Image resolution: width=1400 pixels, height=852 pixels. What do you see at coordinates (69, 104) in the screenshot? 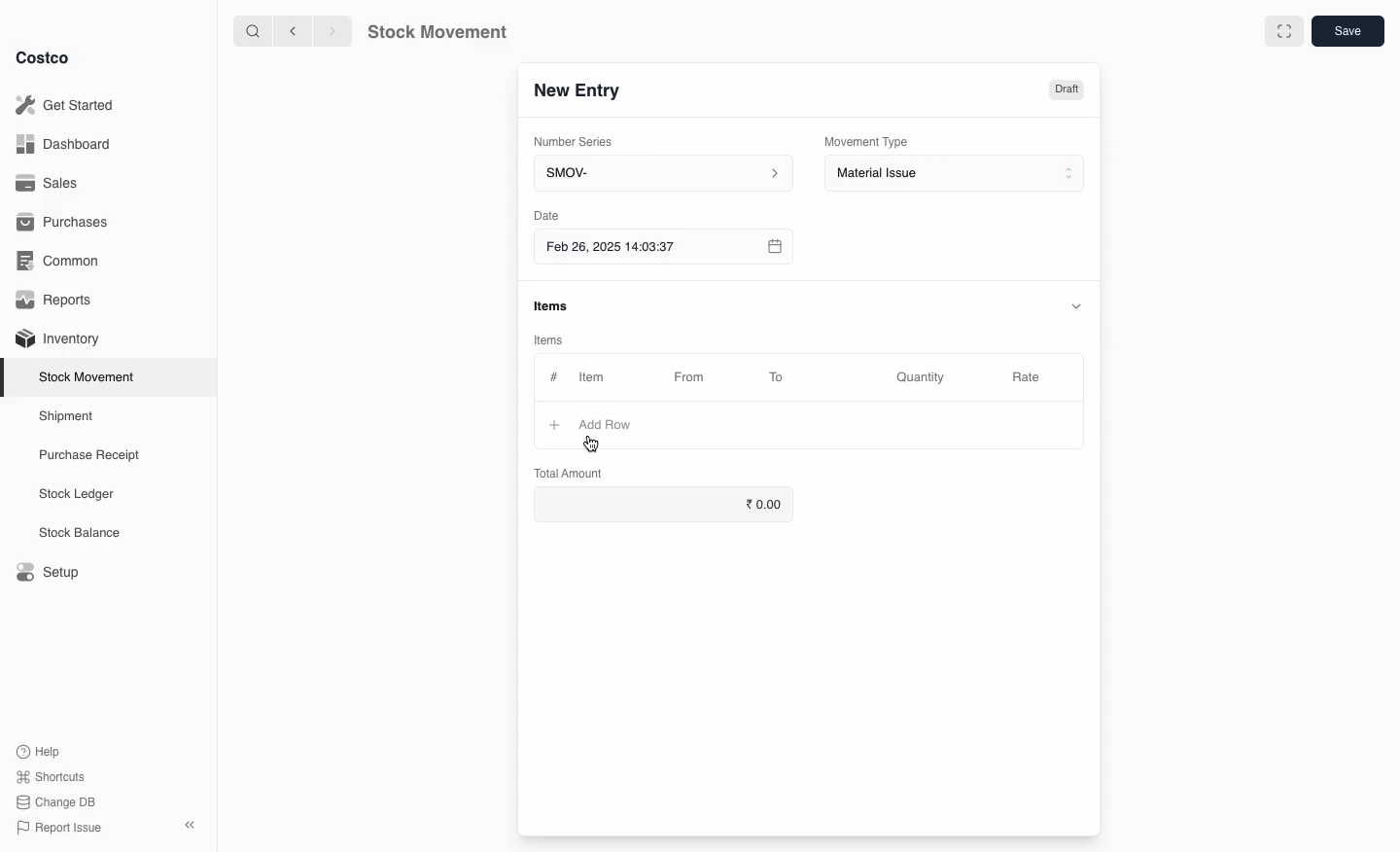
I see `Get Started` at bounding box center [69, 104].